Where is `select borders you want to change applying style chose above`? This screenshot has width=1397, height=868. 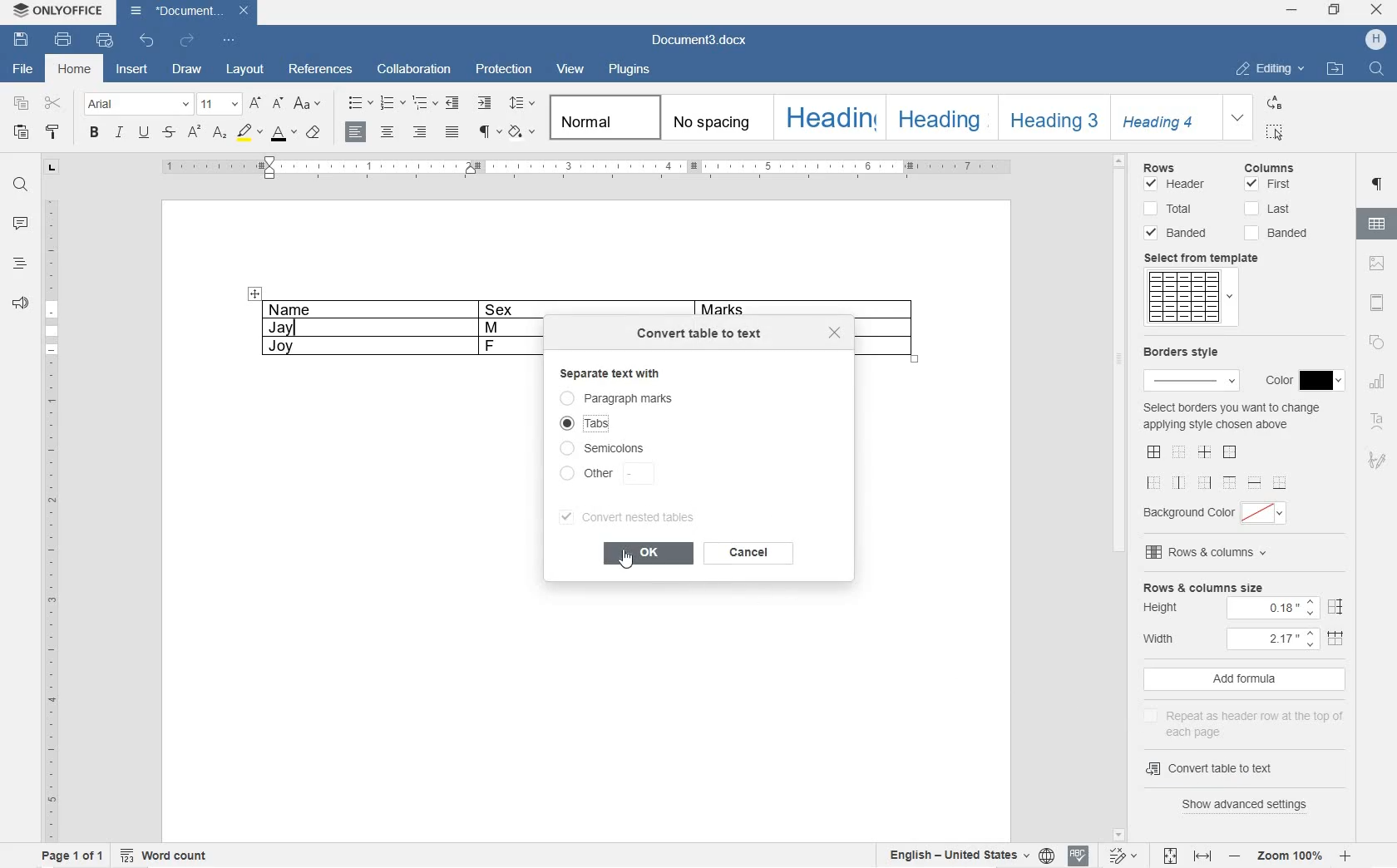
select borders you want to change applying style chose above is located at coordinates (1231, 417).